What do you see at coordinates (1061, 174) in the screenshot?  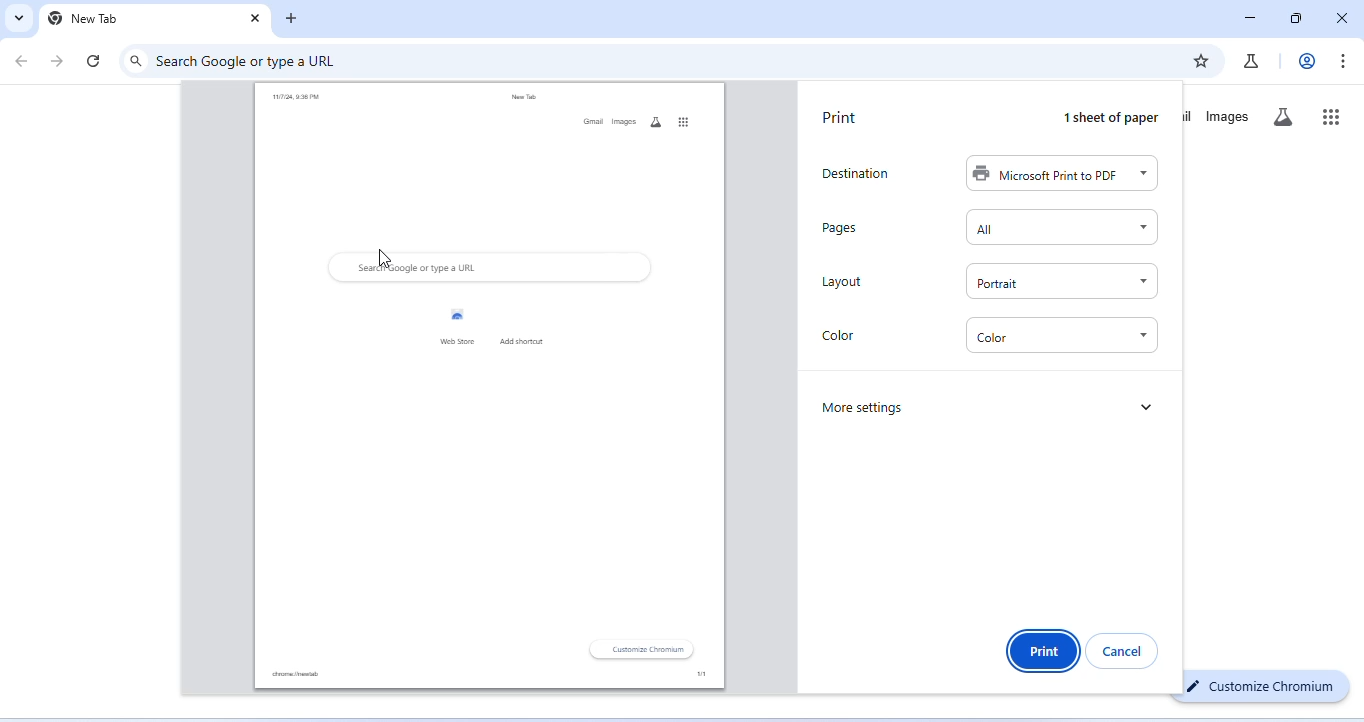 I see `Microsoft print to pdf` at bounding box center [1061, 174].